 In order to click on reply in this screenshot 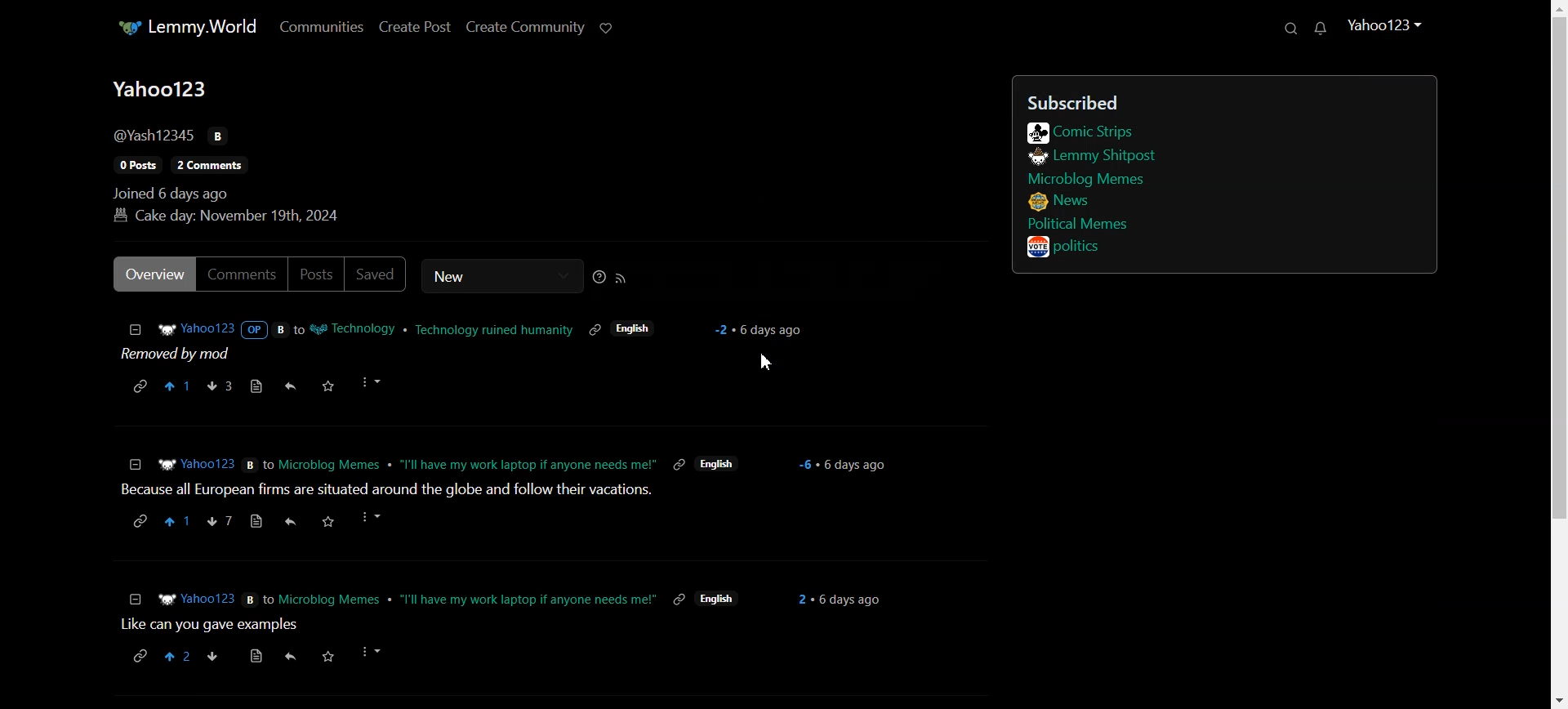, I will do `click(287, 522)`.